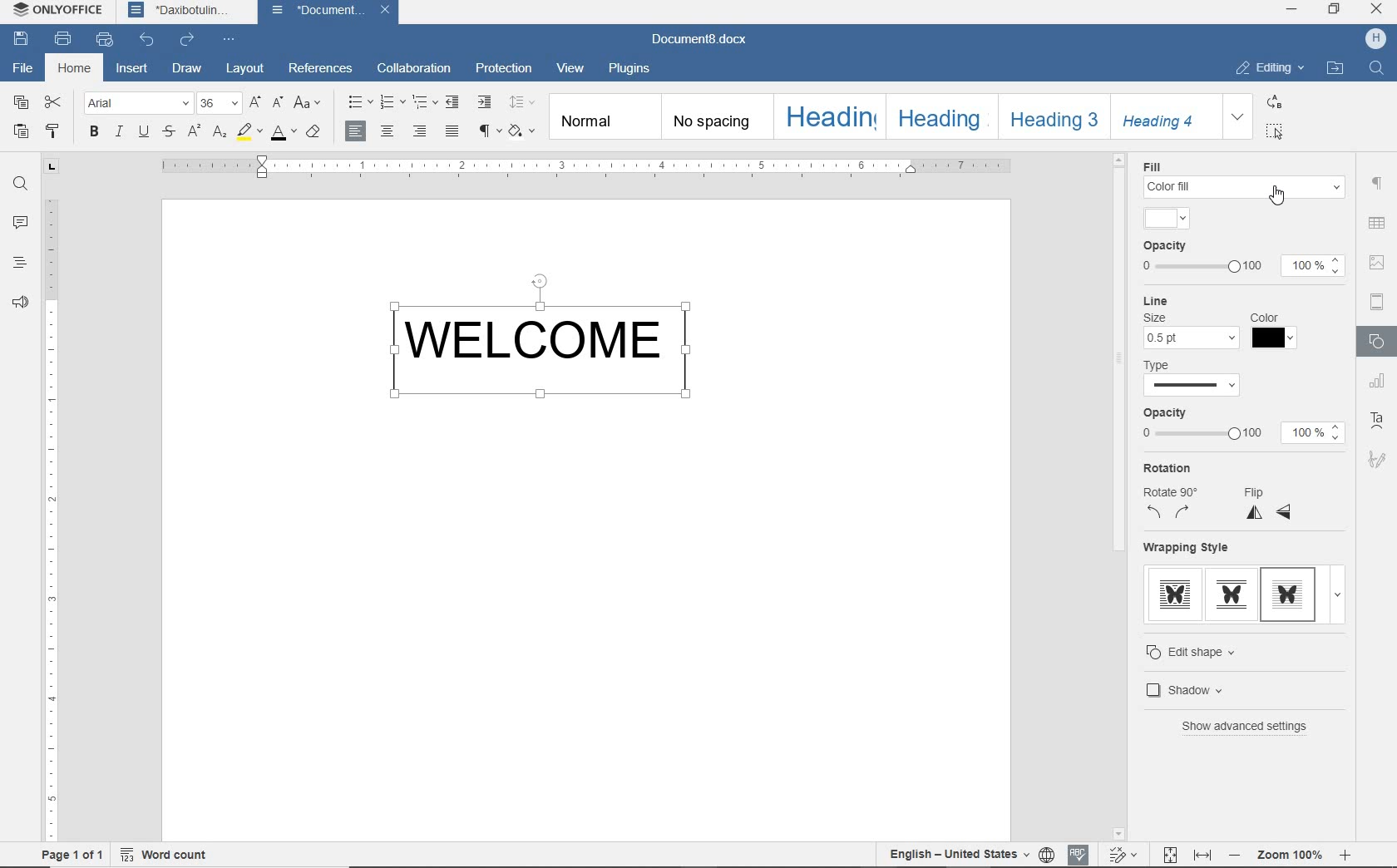  Describe the element at coordinates (1380, 343) in the screenshot. I see `SHAPE` at that location.